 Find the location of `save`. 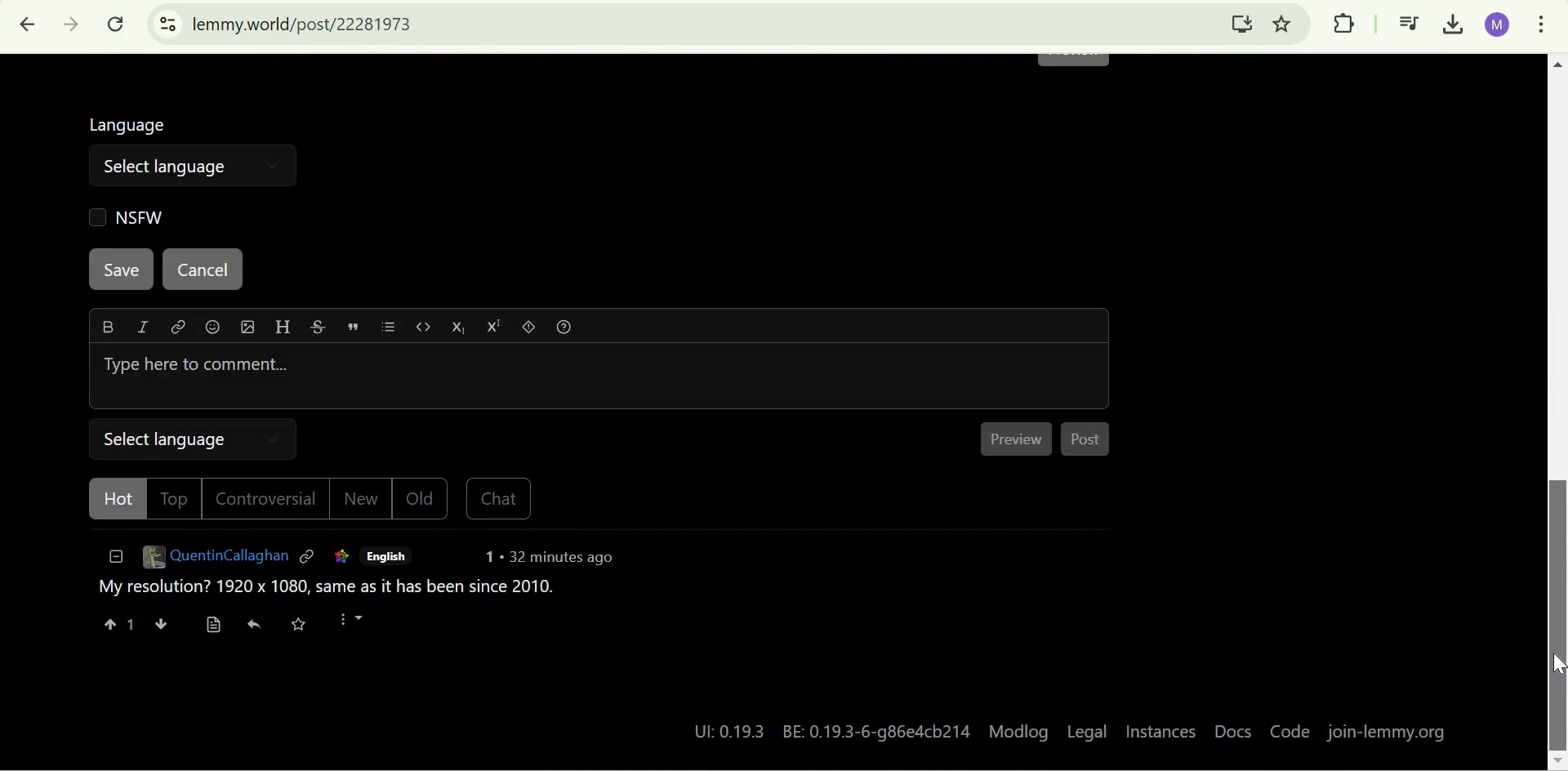

save is located at coordinates (307, 626).